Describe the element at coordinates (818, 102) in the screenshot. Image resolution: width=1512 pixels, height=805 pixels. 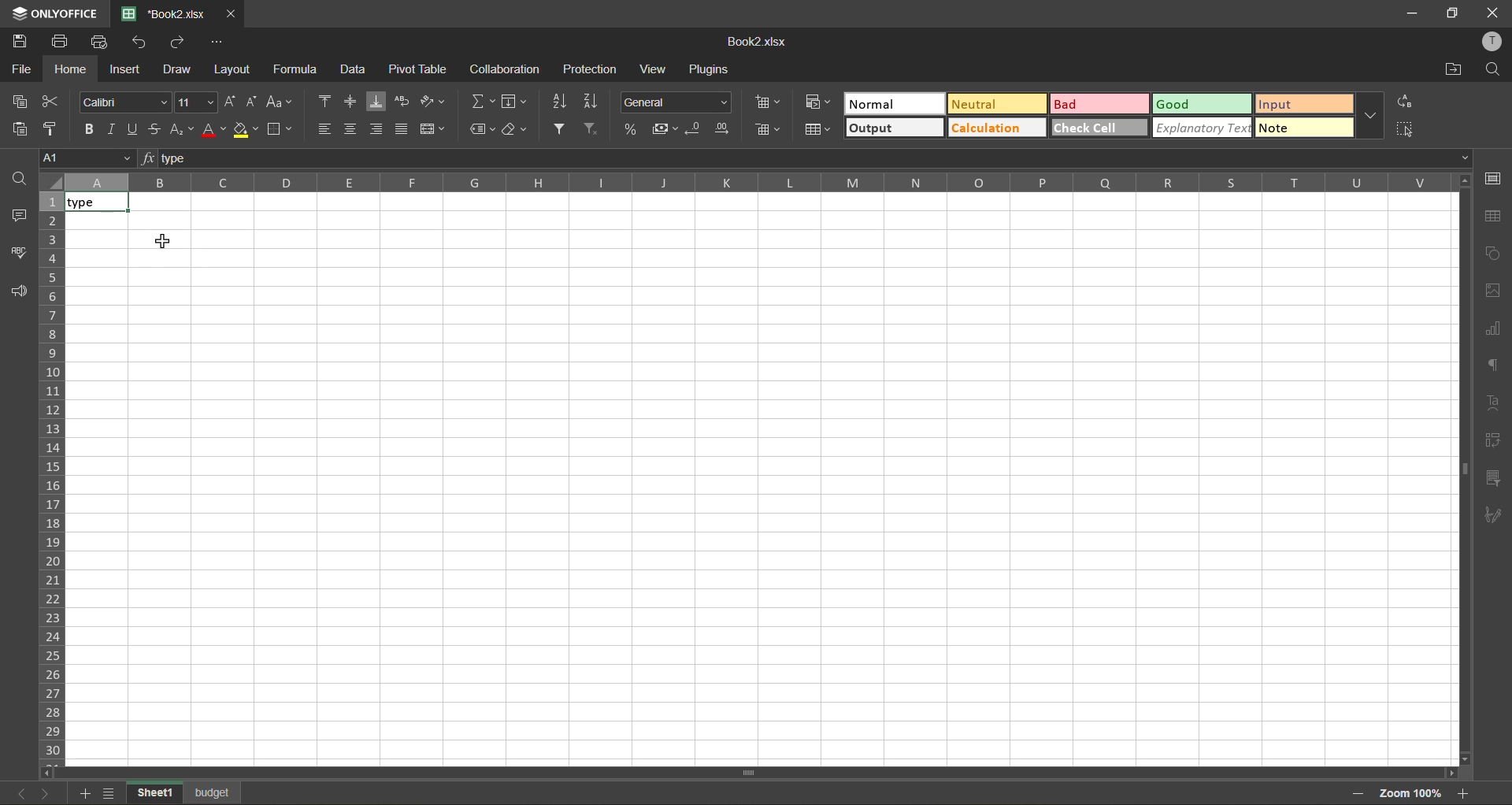
I see `conditional formatting` at that location.